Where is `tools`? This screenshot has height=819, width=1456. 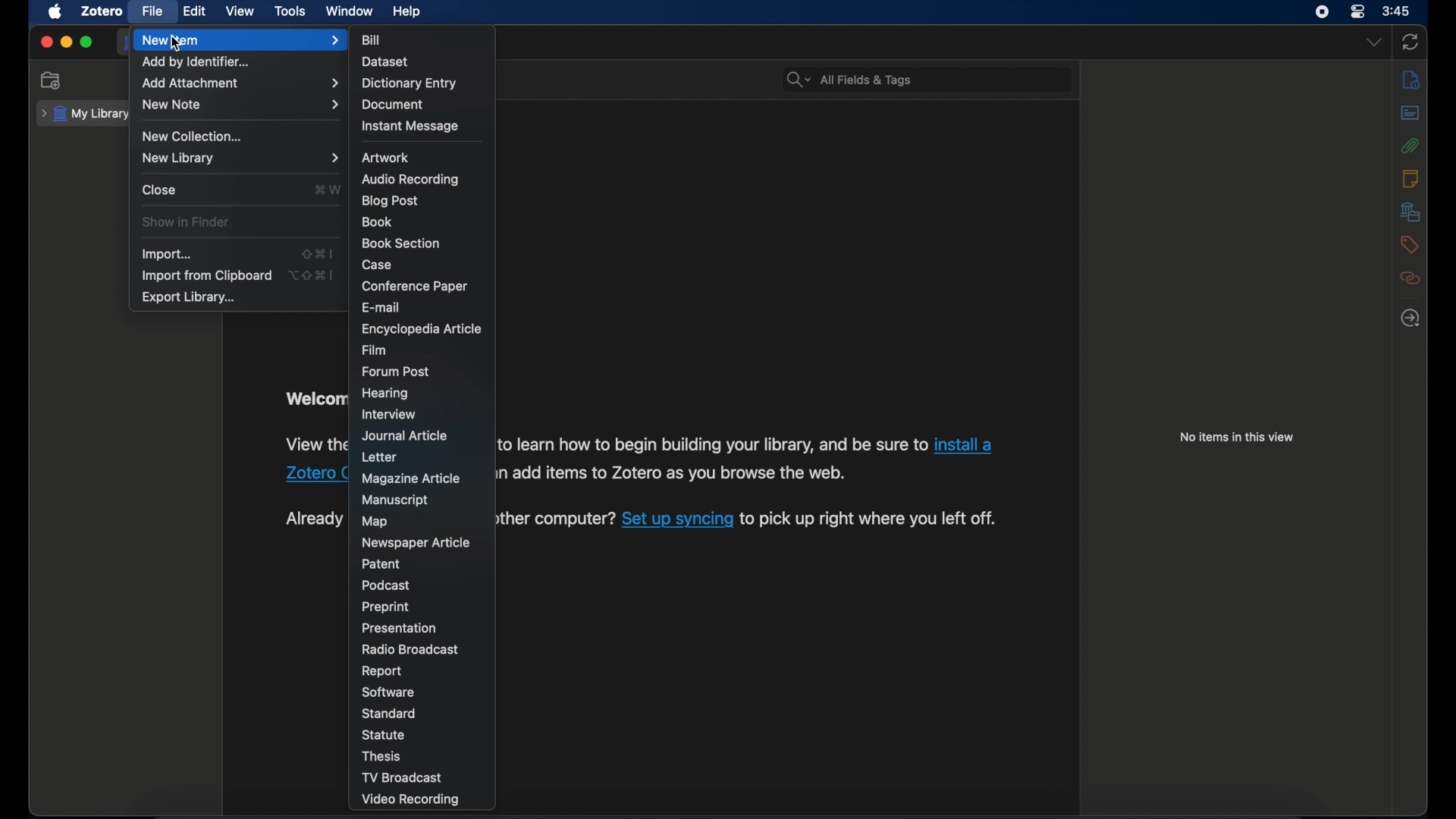
tools is located at coordinates (290, 11).